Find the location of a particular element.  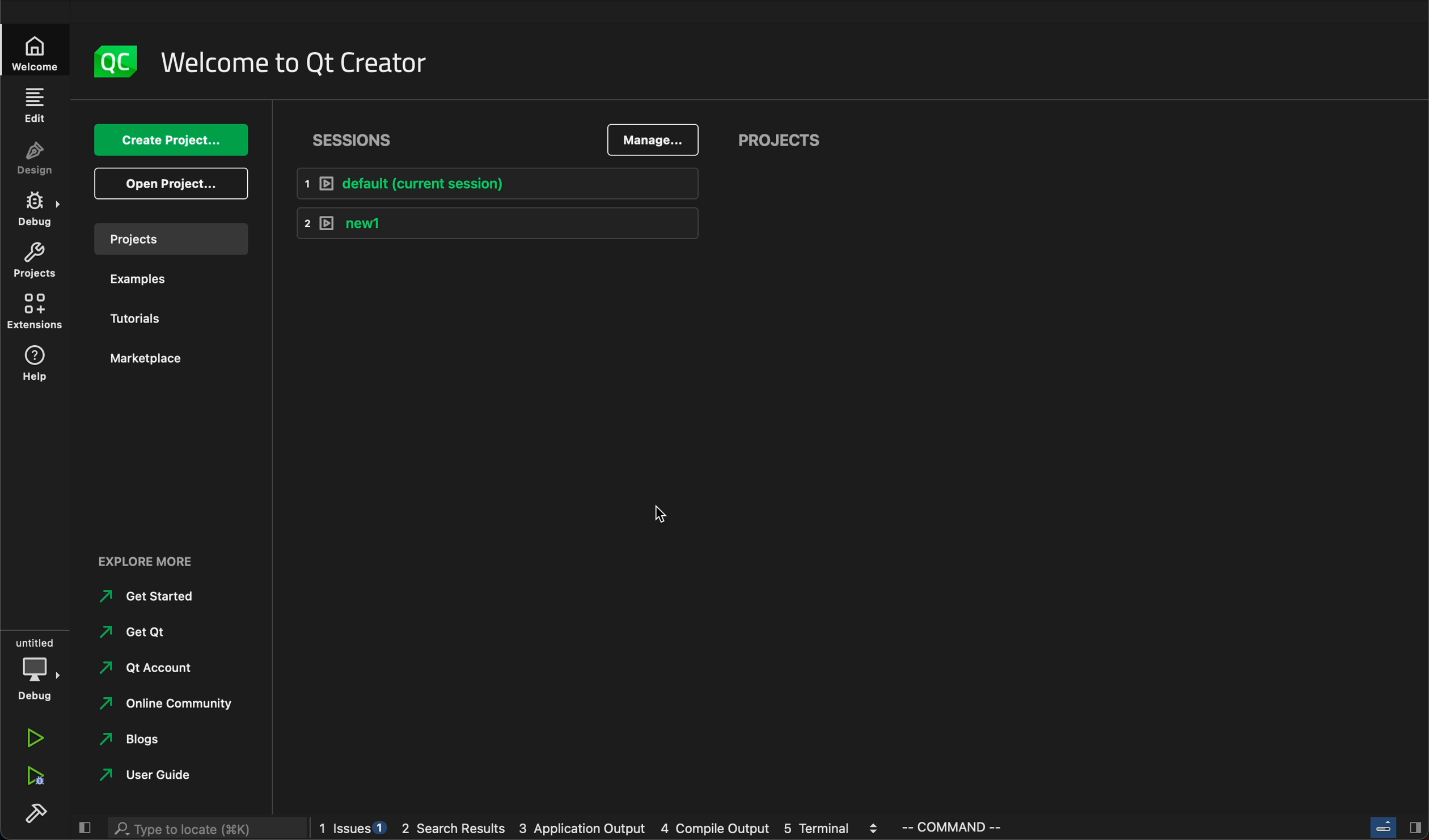

logo is located at coordinates (119, 61).